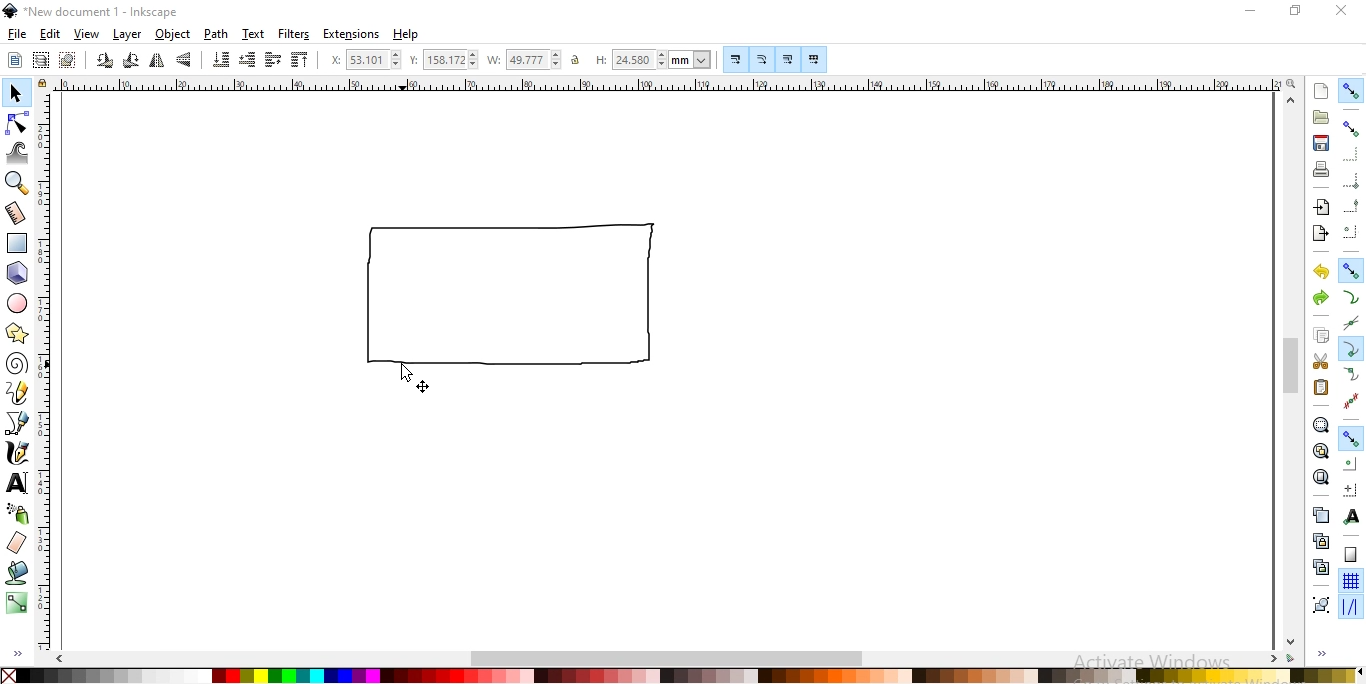 The image size is (1366, 684). Describe the element at coordinates (18, 154) in the screenshot. I see `tweak objects by sculpting or painting` at that location.